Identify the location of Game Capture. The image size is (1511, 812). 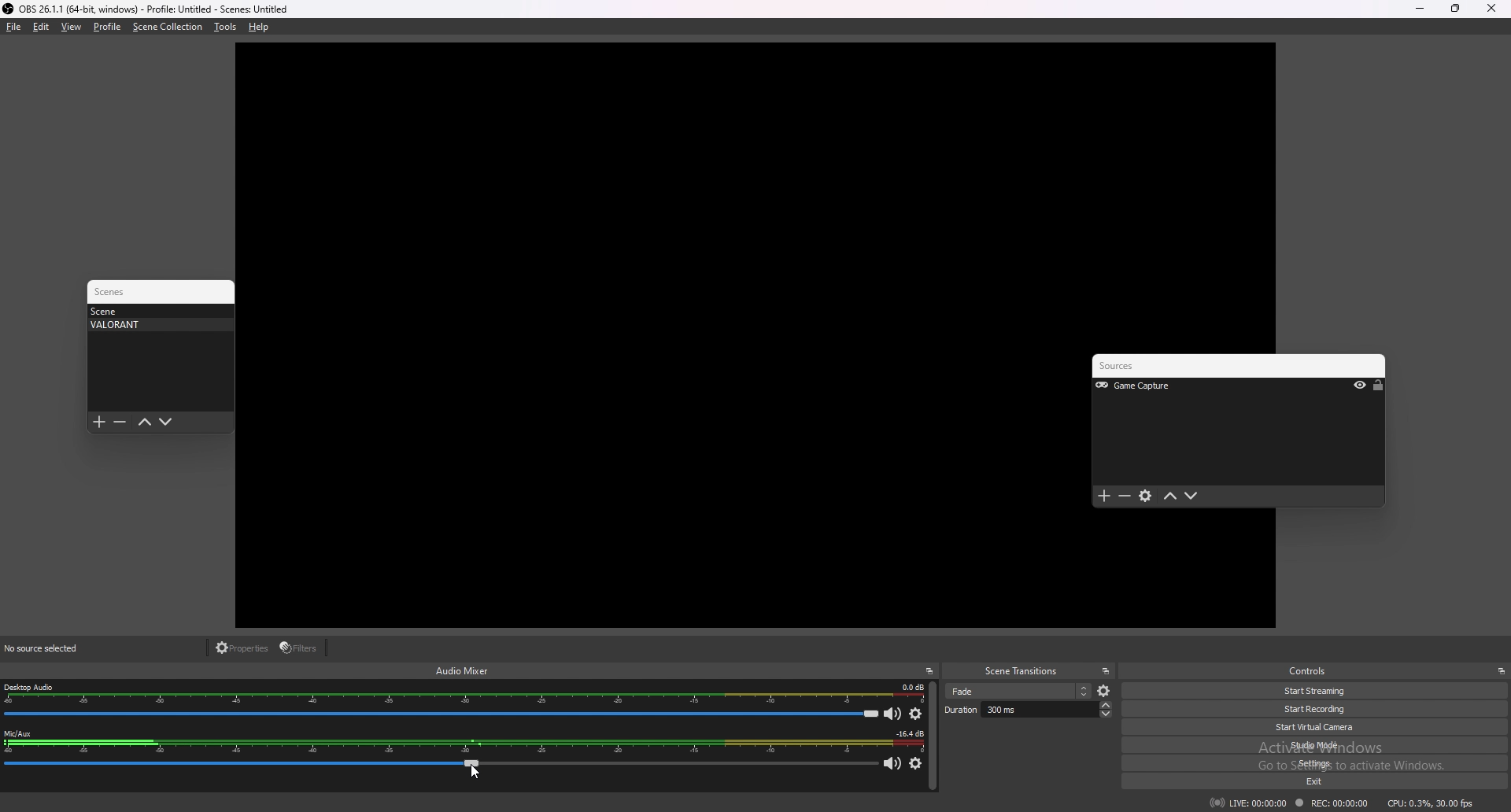
(1154, 386).